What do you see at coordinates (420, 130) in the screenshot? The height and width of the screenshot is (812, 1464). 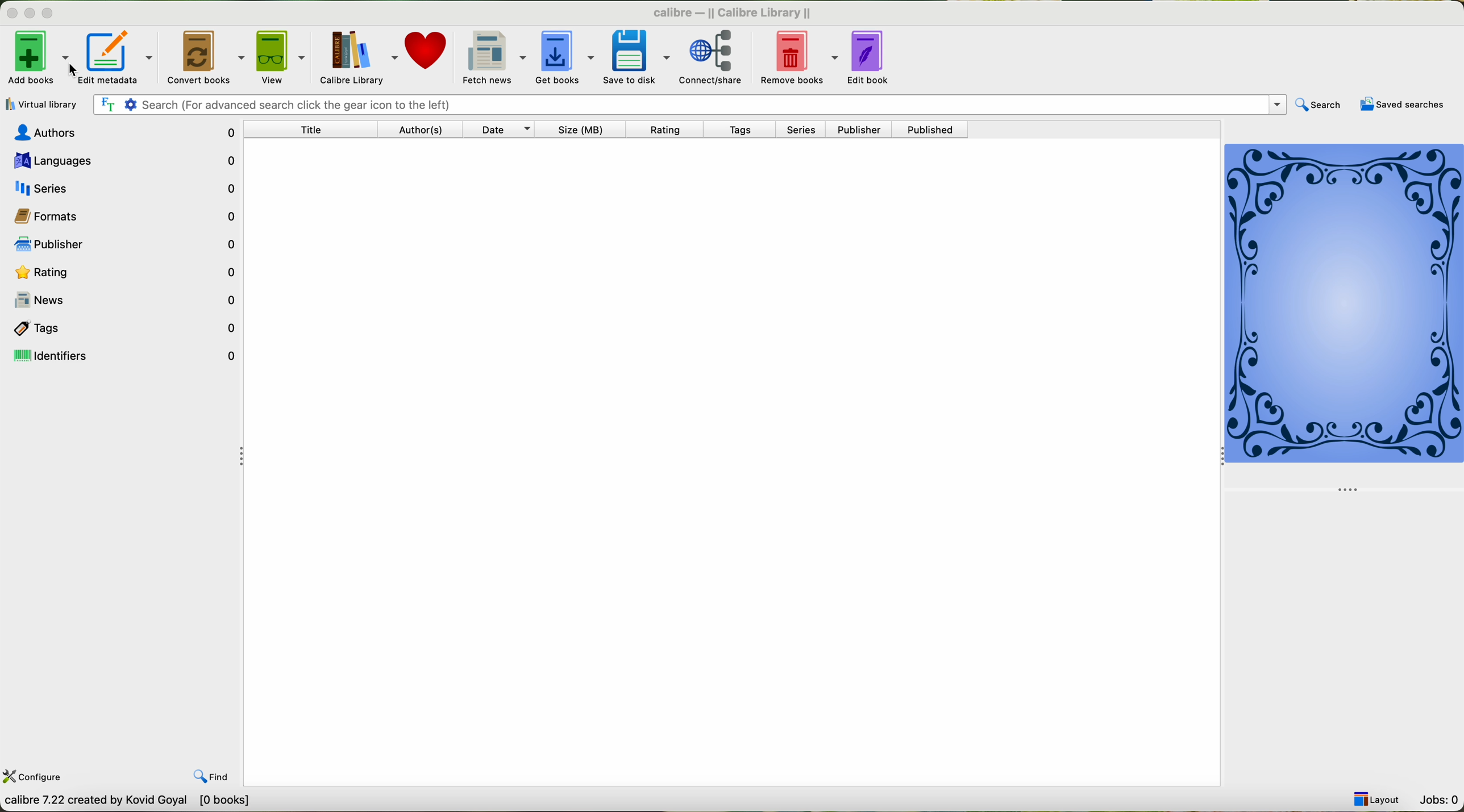 I see `authors` at bounding box center [420, 130].